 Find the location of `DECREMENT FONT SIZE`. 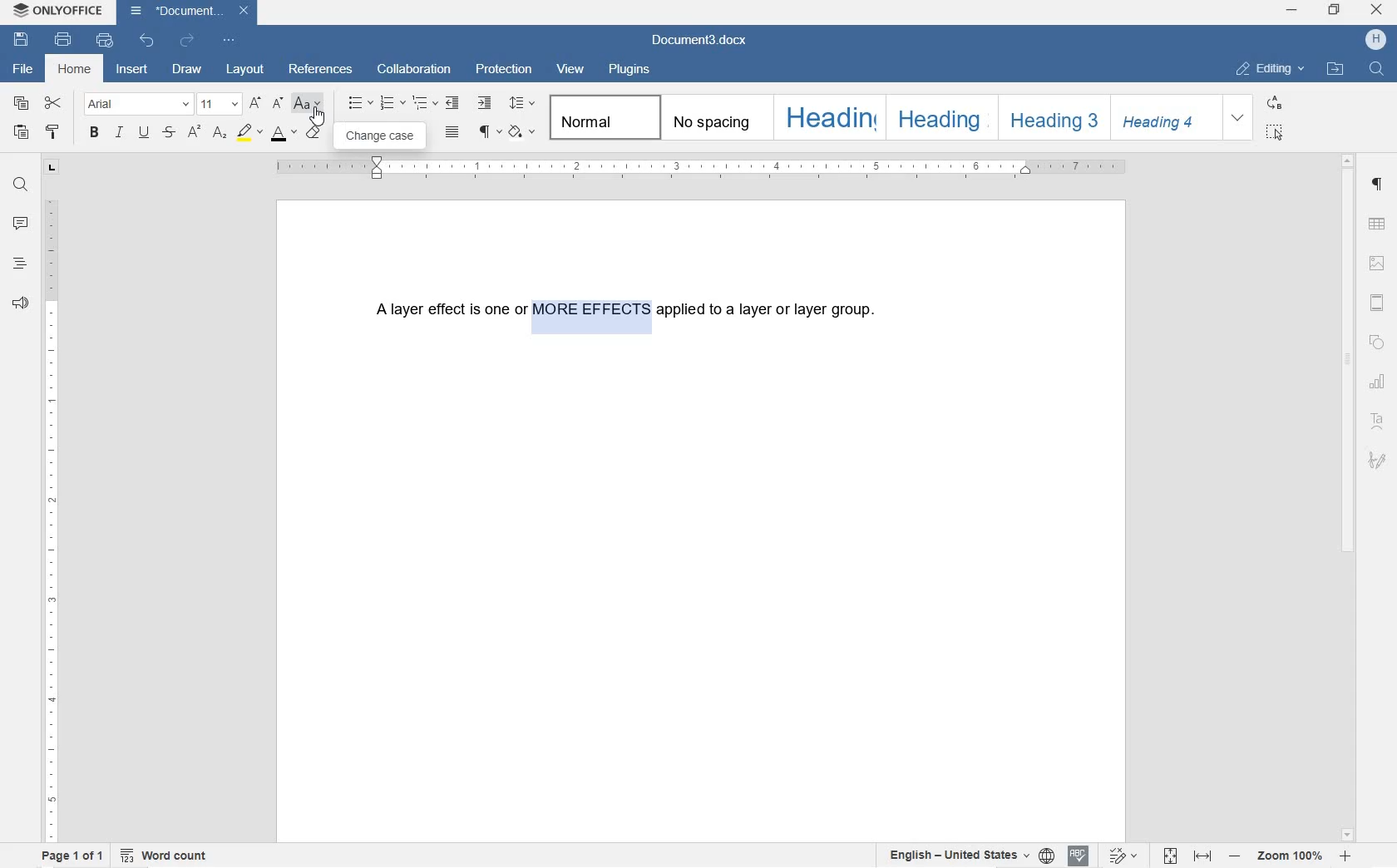

DECREMENT FONT SIZE is located at coordinates (255, 104).